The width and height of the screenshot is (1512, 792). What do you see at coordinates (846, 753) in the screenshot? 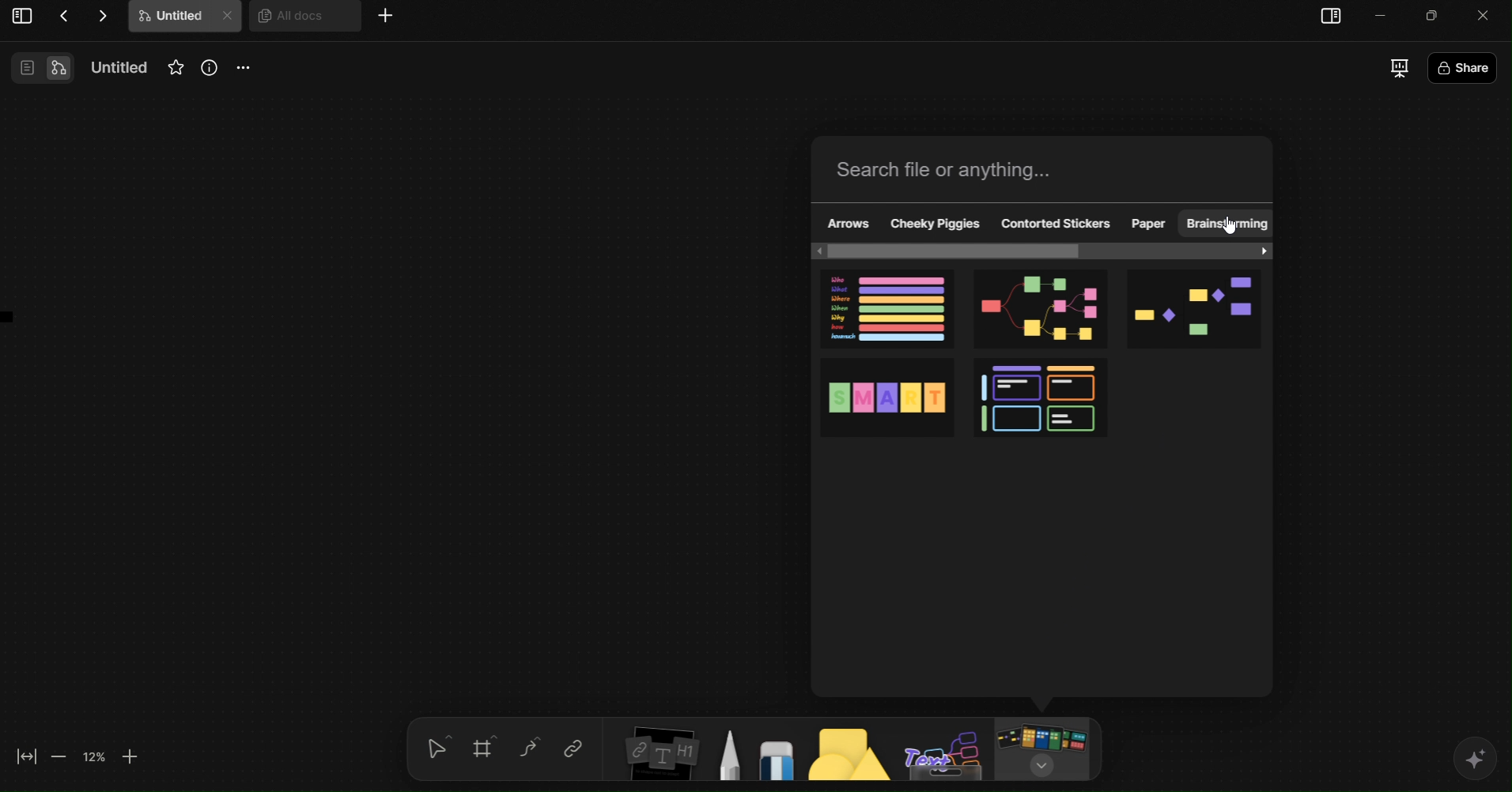
I see `Shapes tool` at bounding box center [846, 753].